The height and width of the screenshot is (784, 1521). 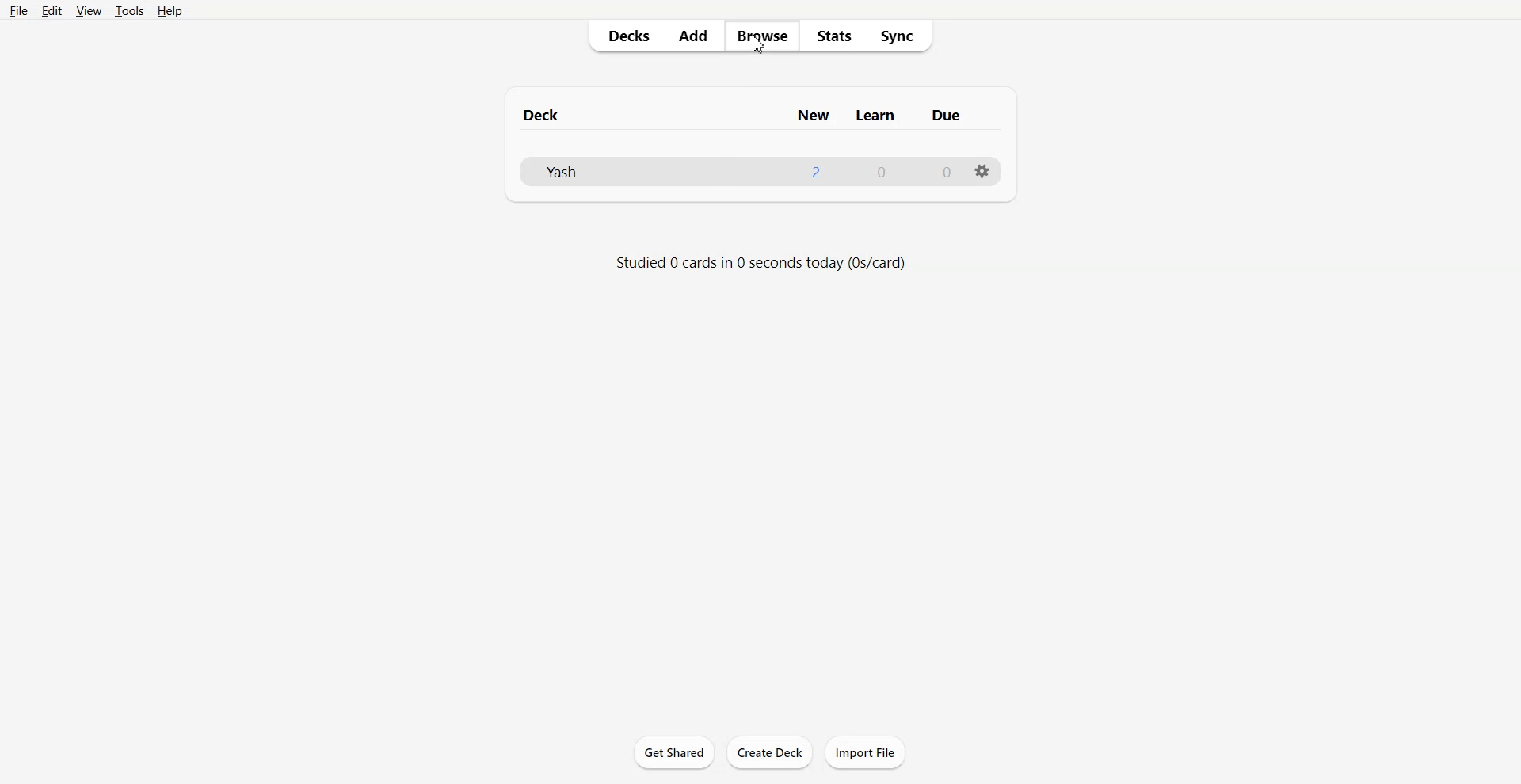 What do you see at coordinates (625, 37) in the screenshot?
I see `Decks` at bounding box center [625, 37].